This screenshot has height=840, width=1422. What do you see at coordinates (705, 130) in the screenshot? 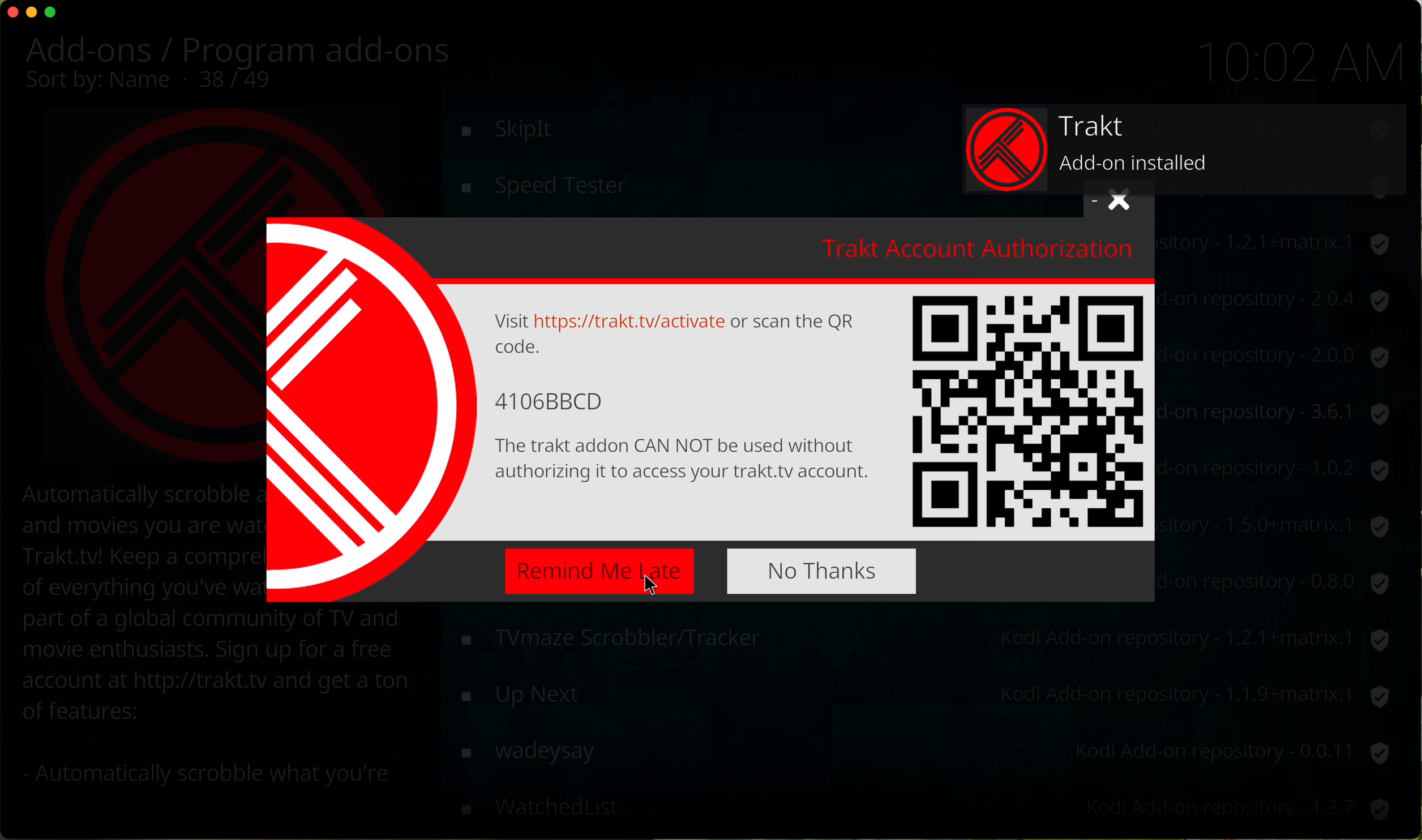
I see `toolbox script` at bounding box center [705, 130].